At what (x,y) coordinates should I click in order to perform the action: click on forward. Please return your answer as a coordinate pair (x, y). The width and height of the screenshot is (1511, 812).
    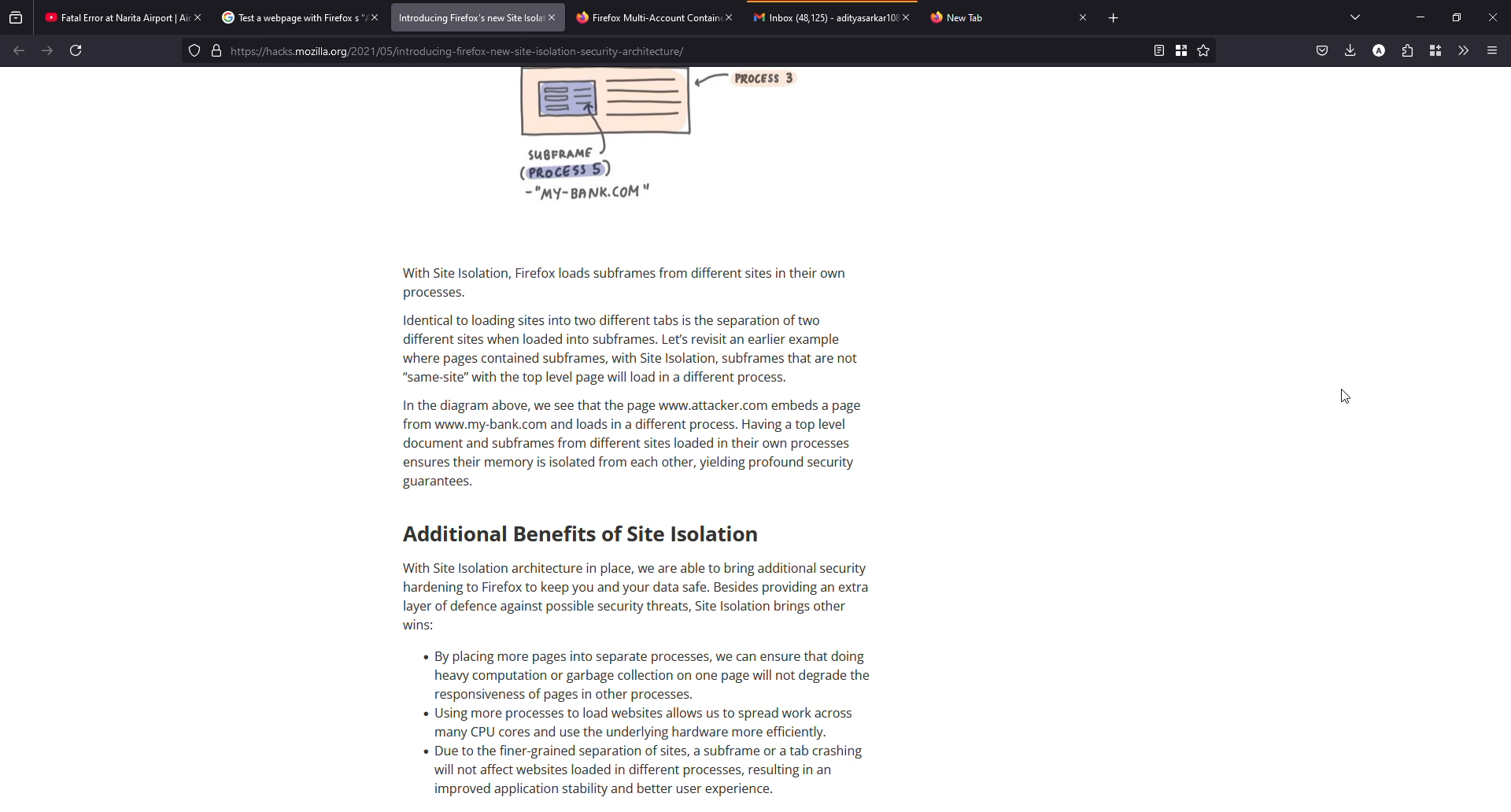
    Looking at the image, I should click on (47, 50).